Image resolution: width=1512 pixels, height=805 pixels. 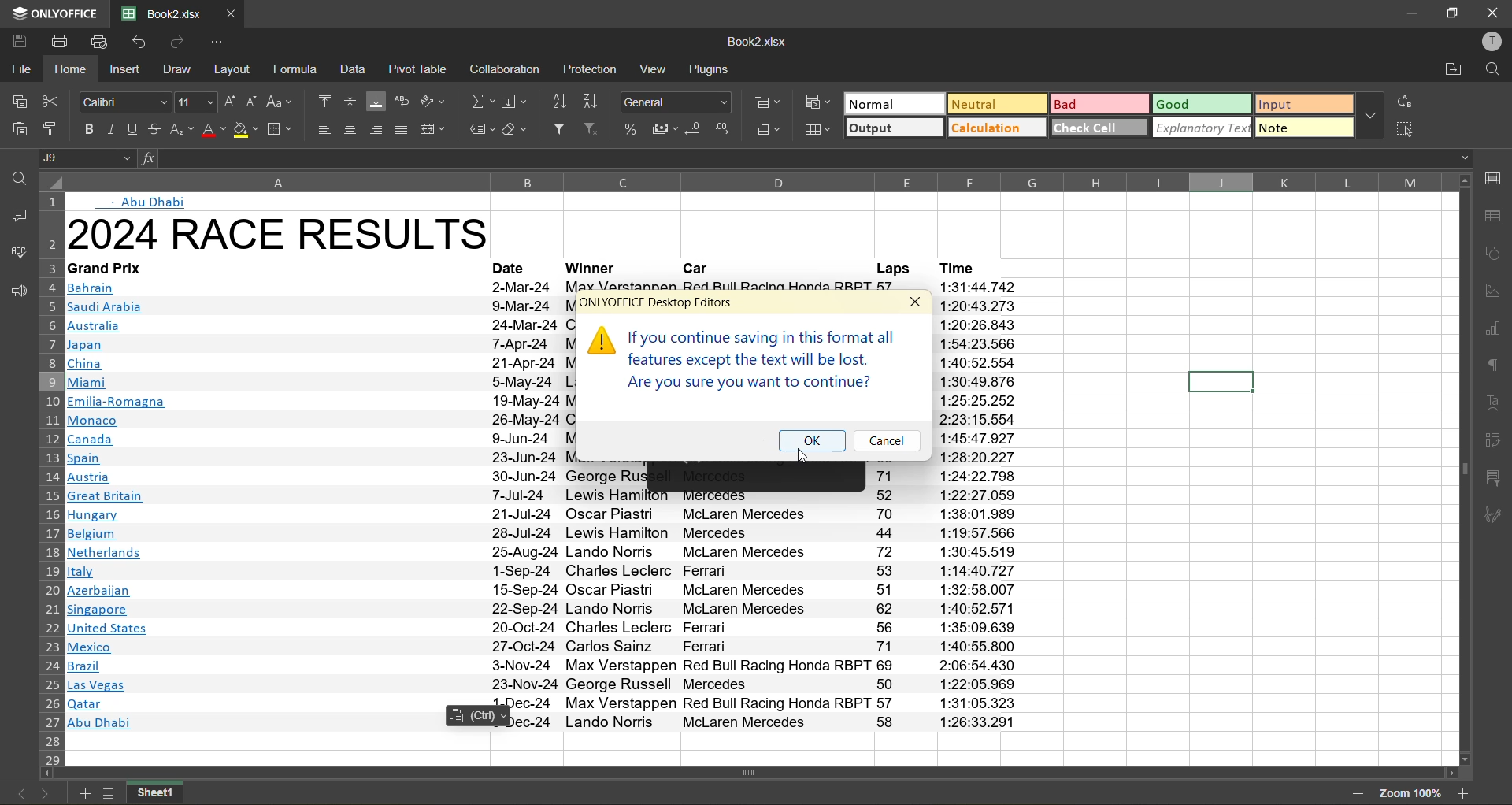 I want to click on strikethrough, so click(x=154, y=129).